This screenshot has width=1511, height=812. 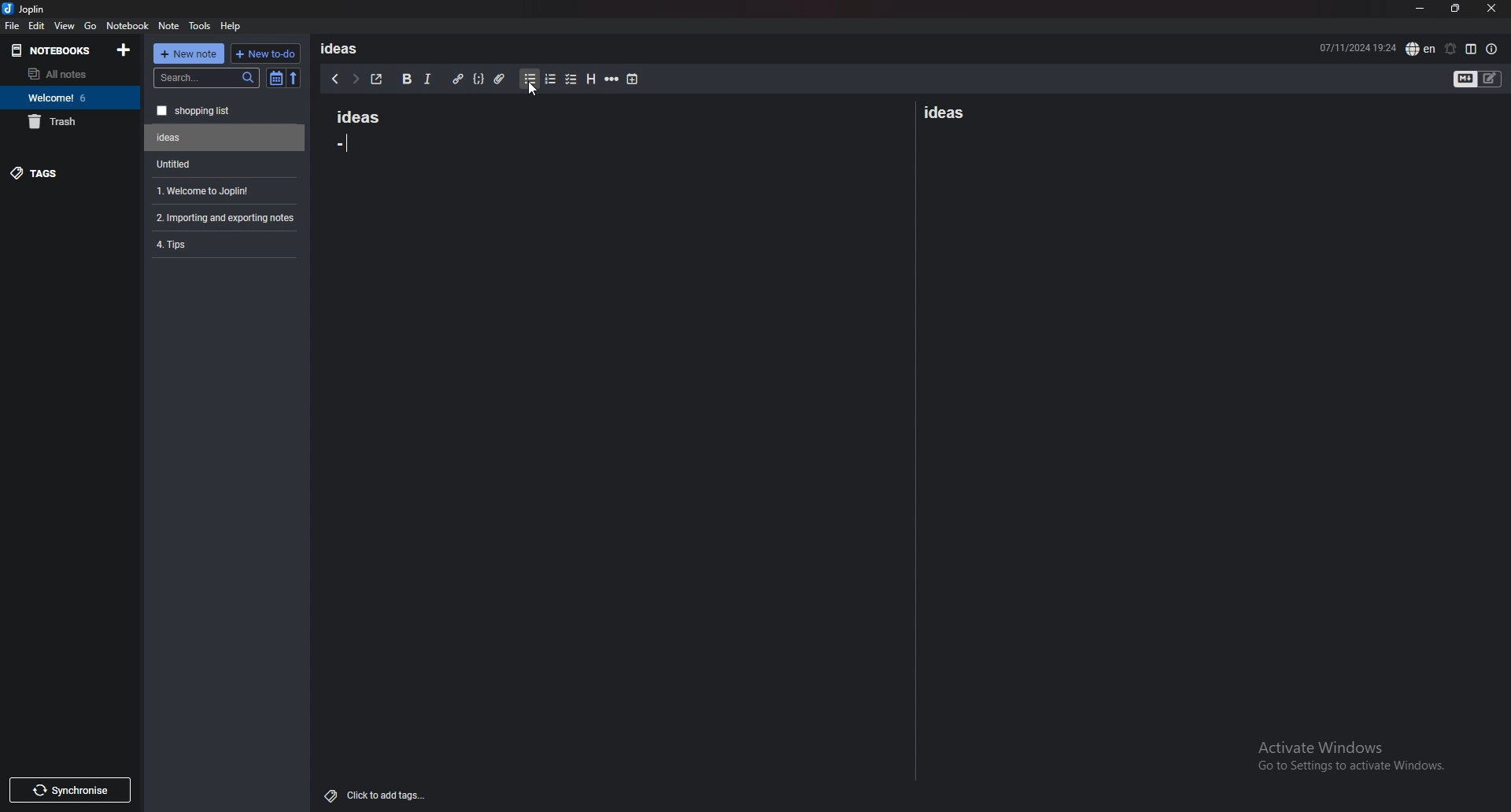 I want to click on Welcome, so click(x=69, y=97).